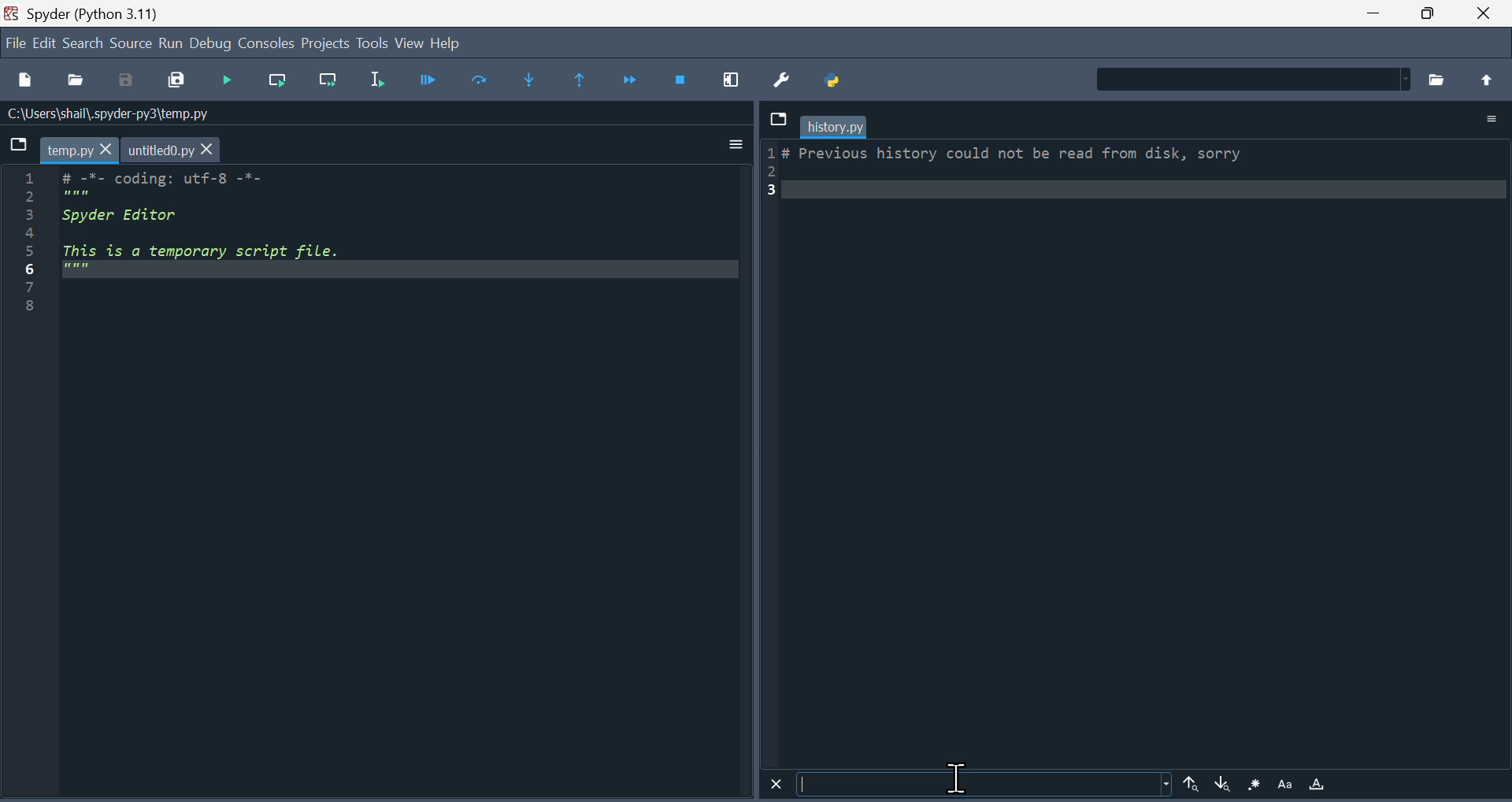 This screenshot has width=1512, height=802. Describe the element at coordinates (984, 784) in the screenshot. I see `Search bar` at that location.